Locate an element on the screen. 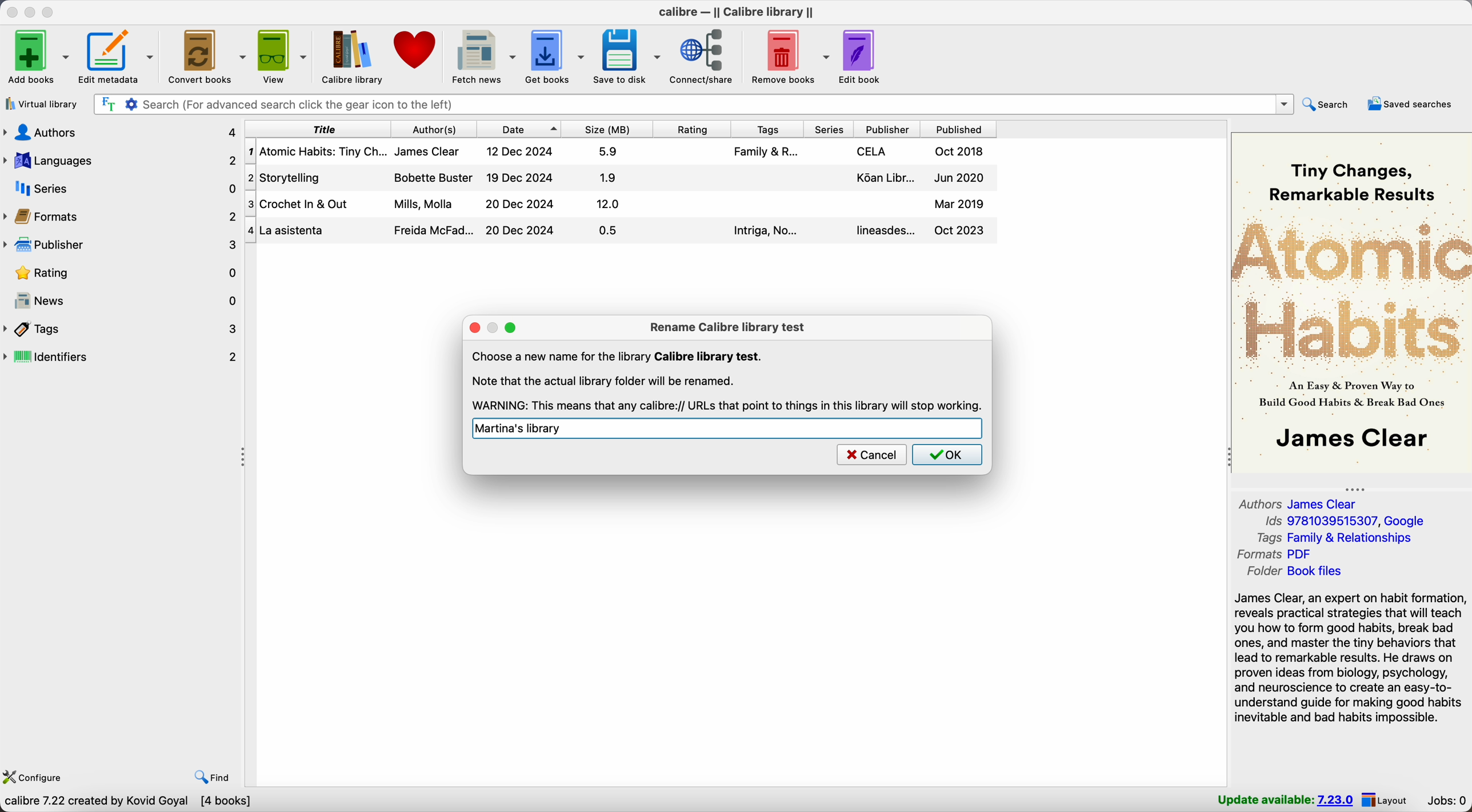 Image resolution: width=1472 pixels, height=812 pixels. size is located at coordinates (607, 128).